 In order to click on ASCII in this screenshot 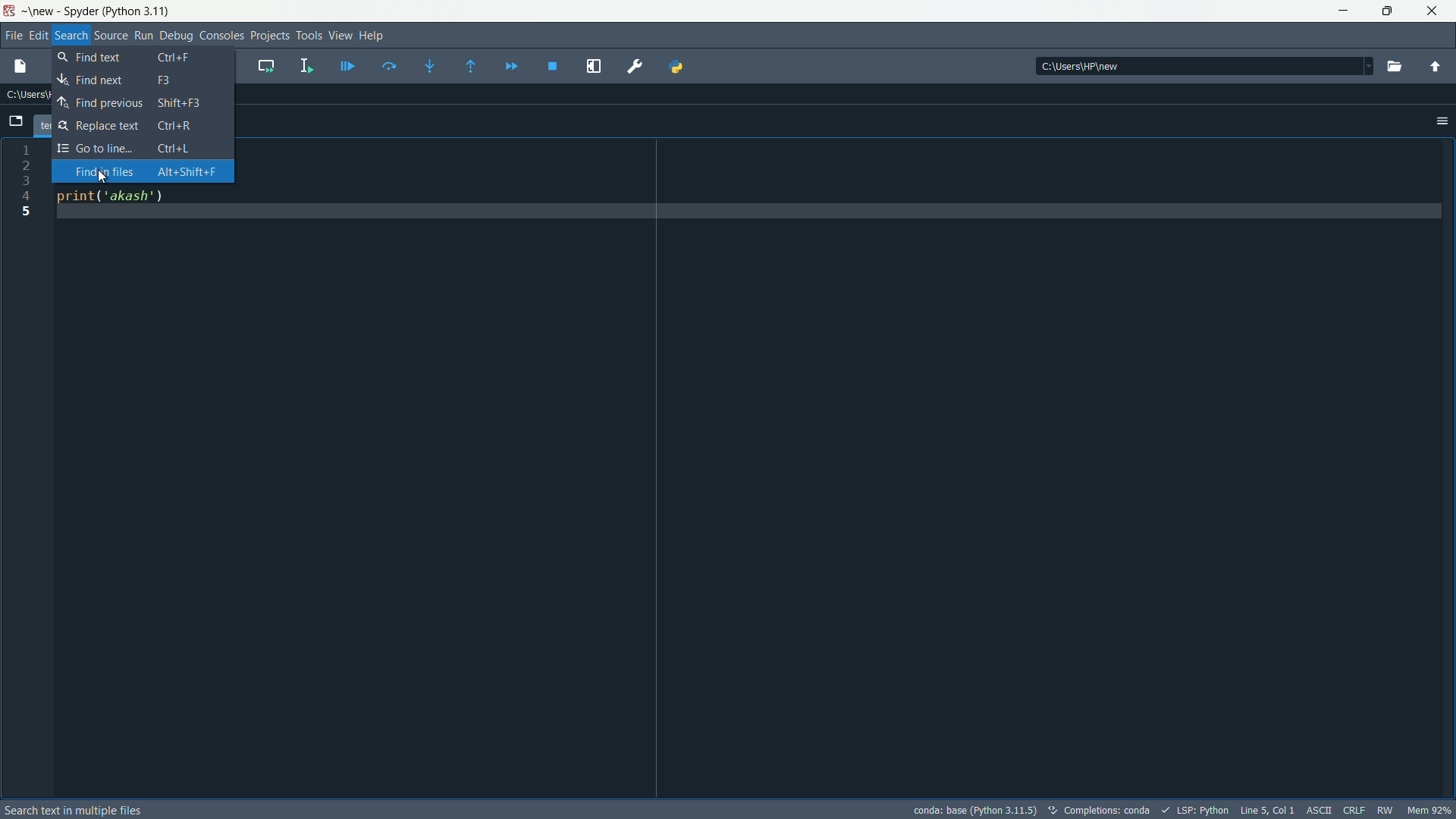, I will do `click(1316, 809)`.